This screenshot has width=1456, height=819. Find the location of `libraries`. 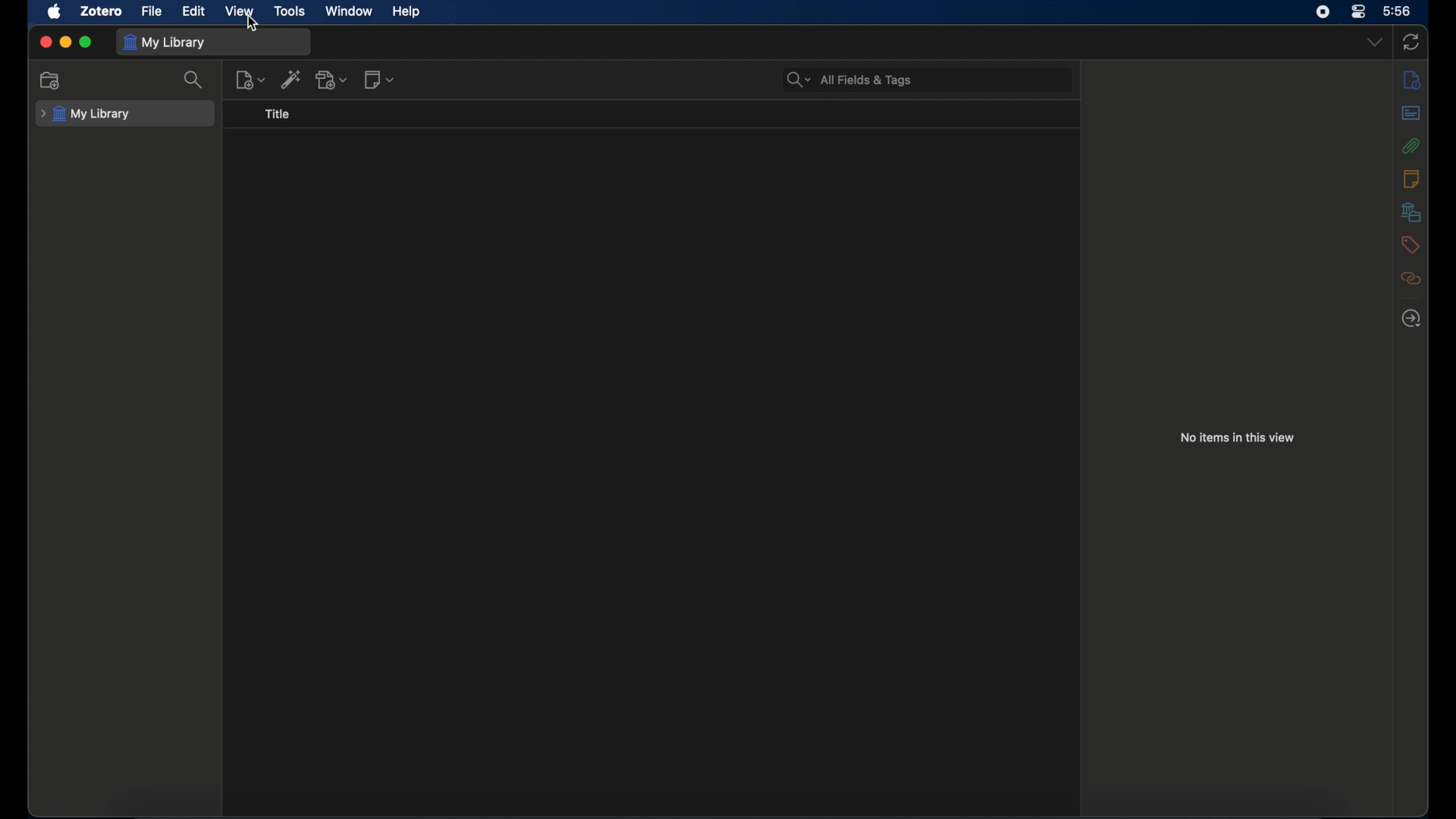

libraries is located at coordinates (1410, 212).